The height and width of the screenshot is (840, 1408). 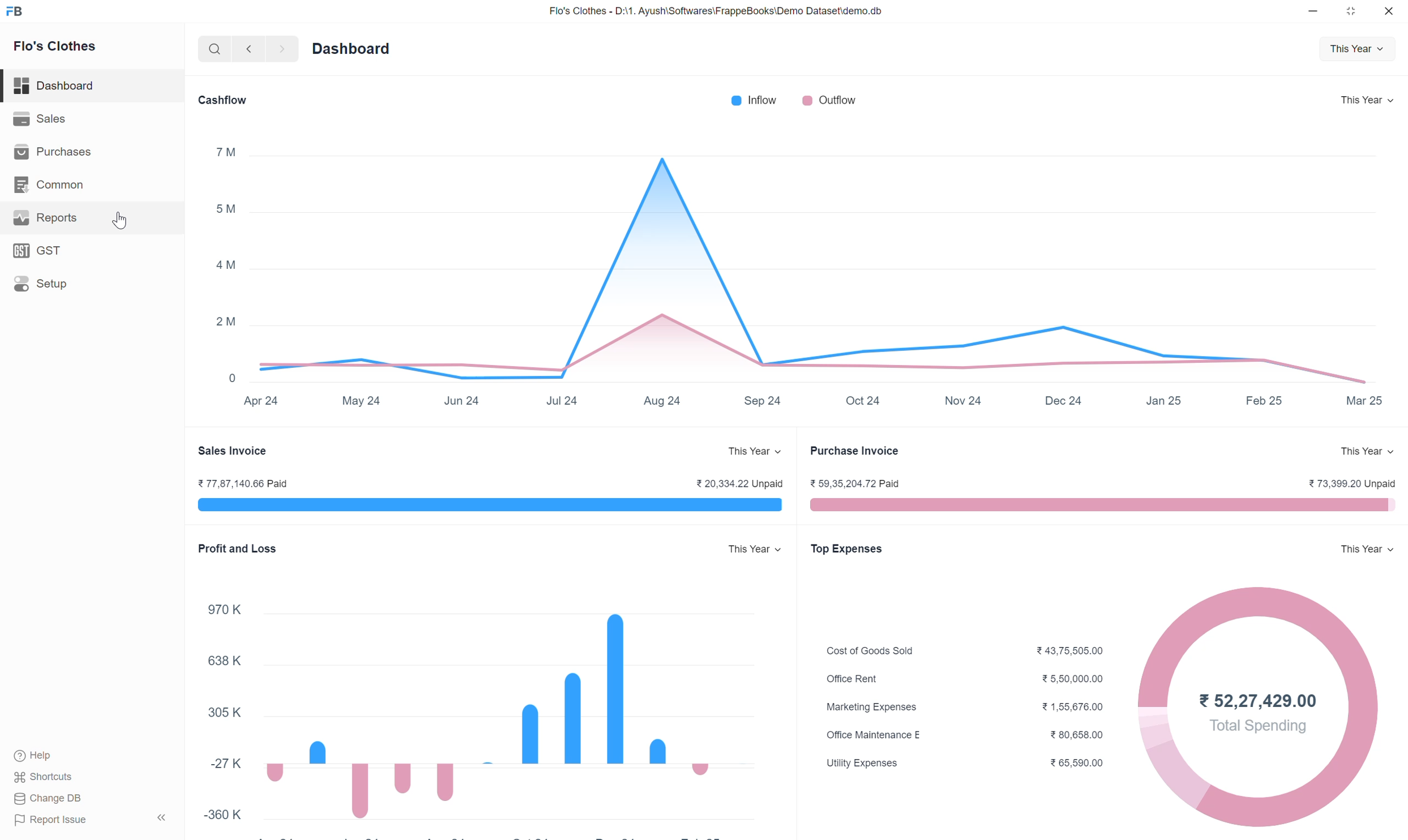 What do you see at coordinates (968, 766) in the screenshot?
I see `Utility Expenses ¥65,590.00` at bounding box center [968, 766].